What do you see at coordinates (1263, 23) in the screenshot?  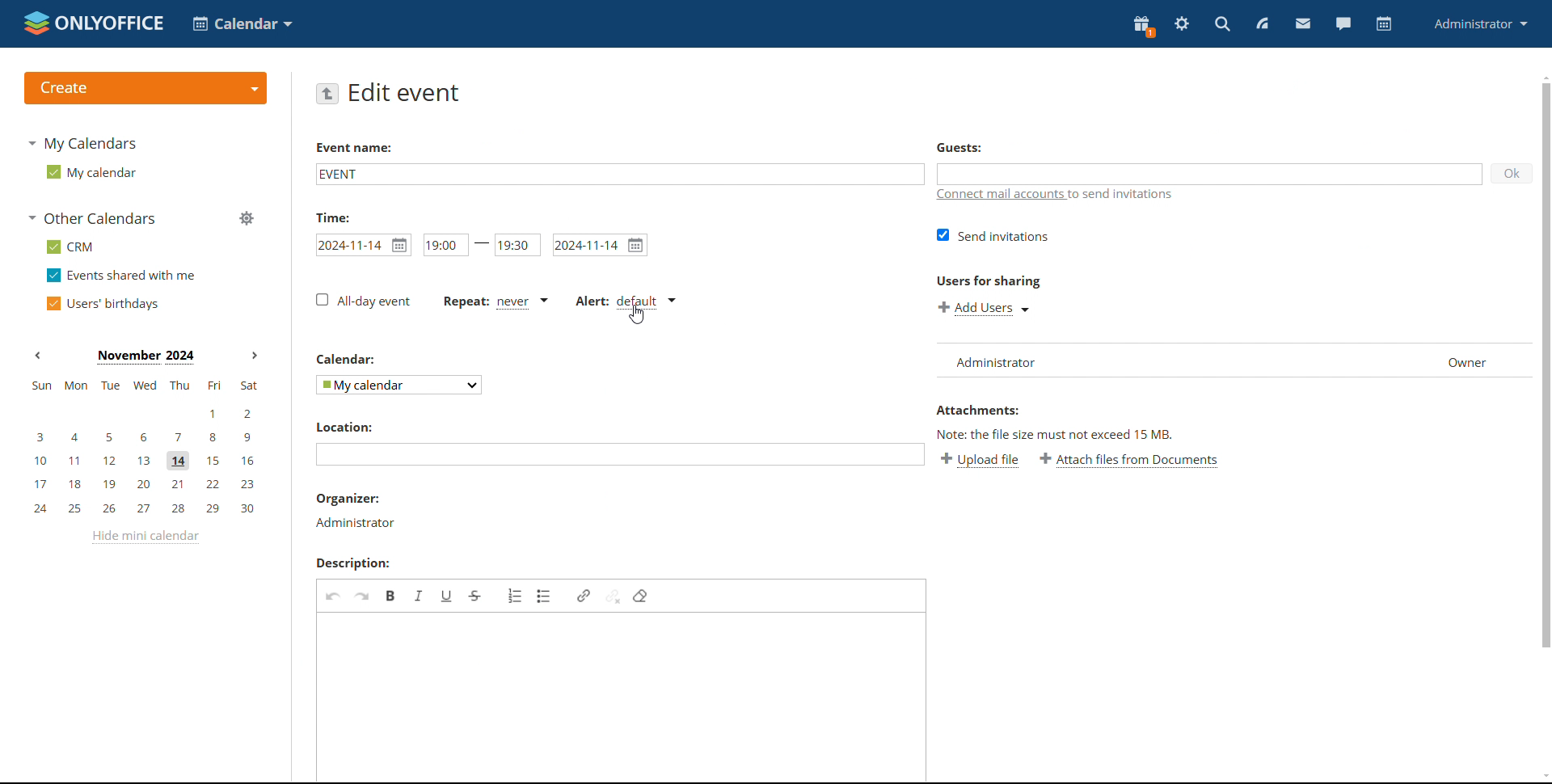 I see `feed` at bounding box center [1263, 23].